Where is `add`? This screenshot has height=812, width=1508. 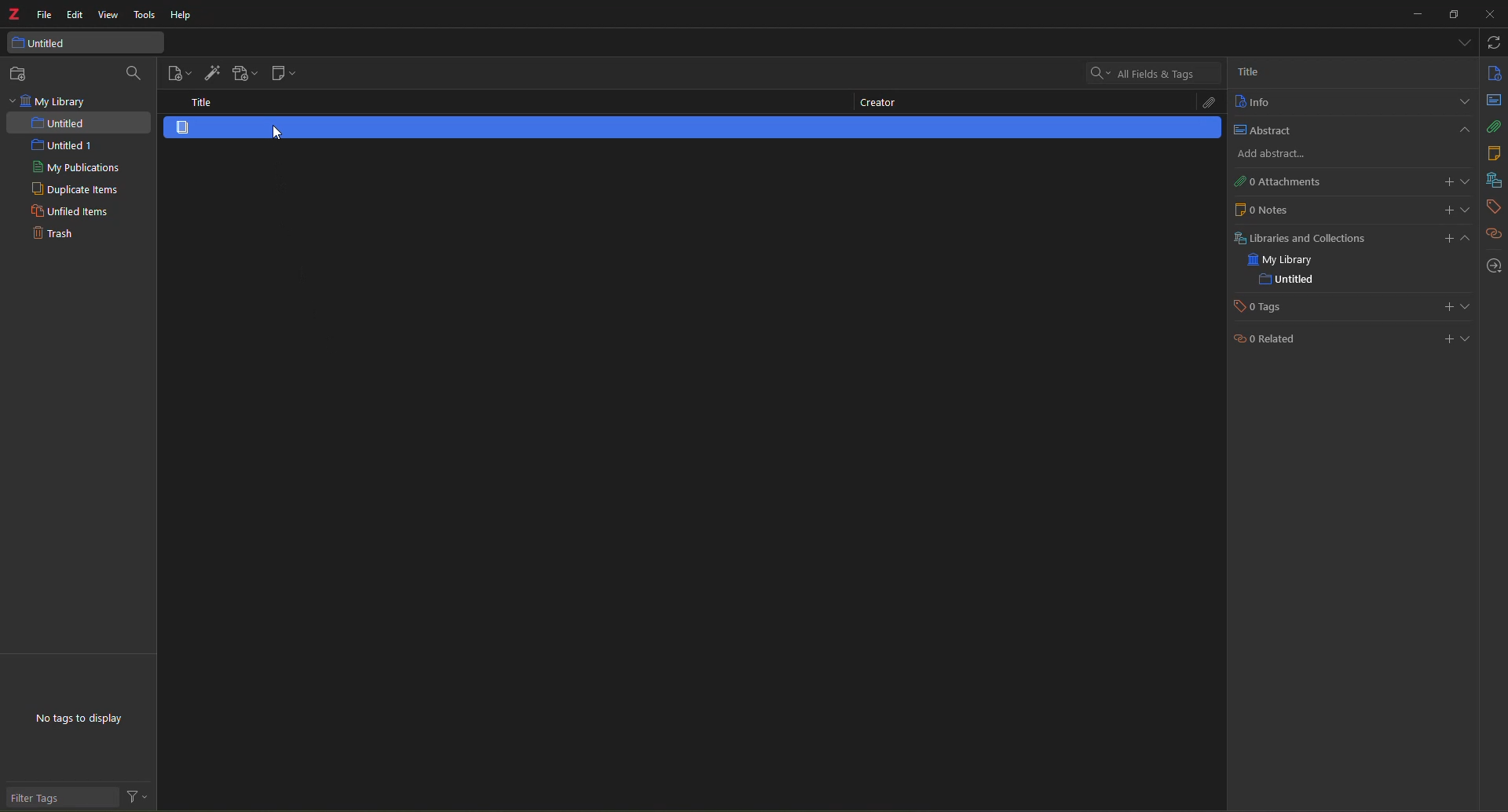
add is located at coordinates (1443, 338).